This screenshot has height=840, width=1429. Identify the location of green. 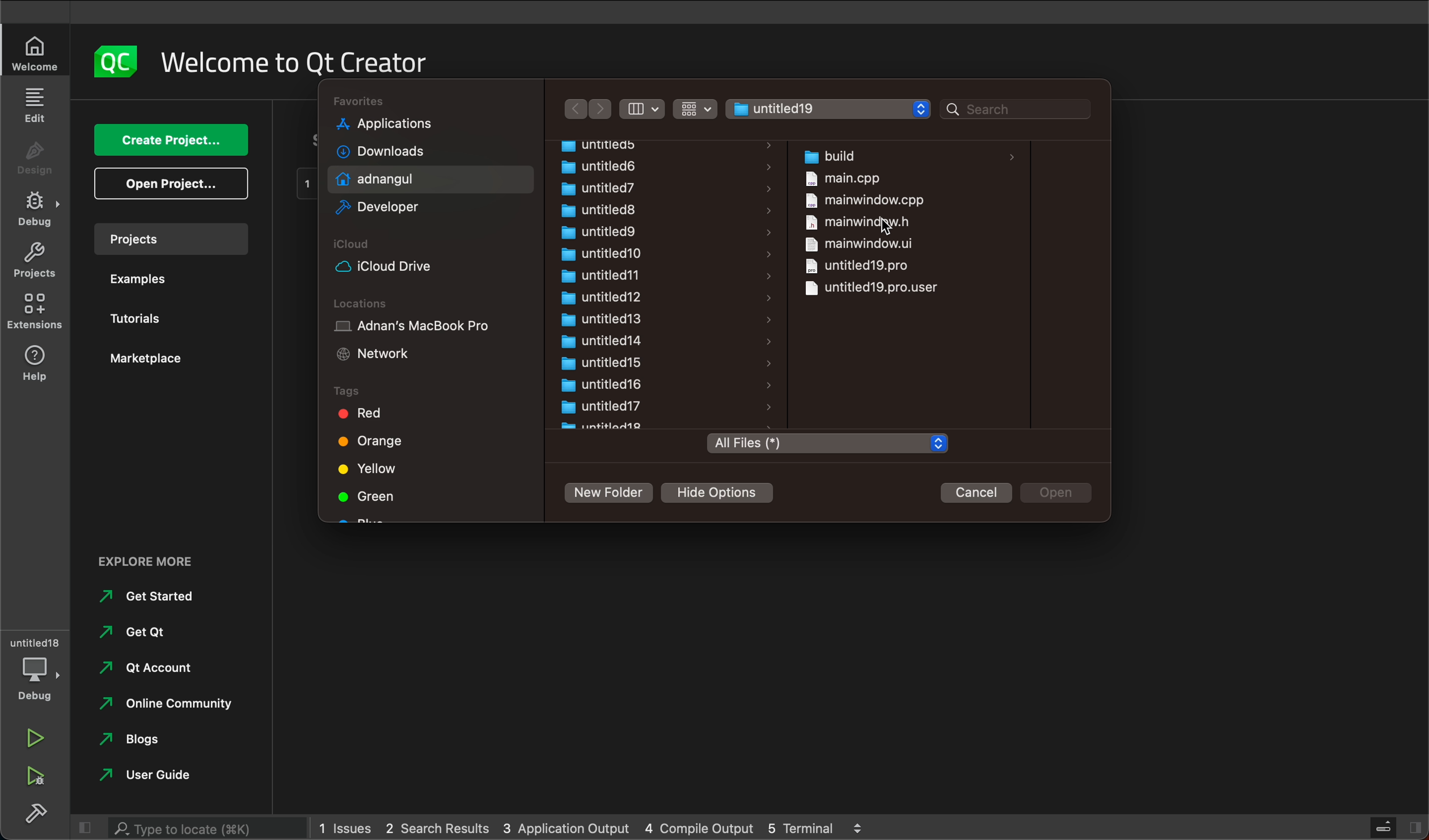
(374, 499).